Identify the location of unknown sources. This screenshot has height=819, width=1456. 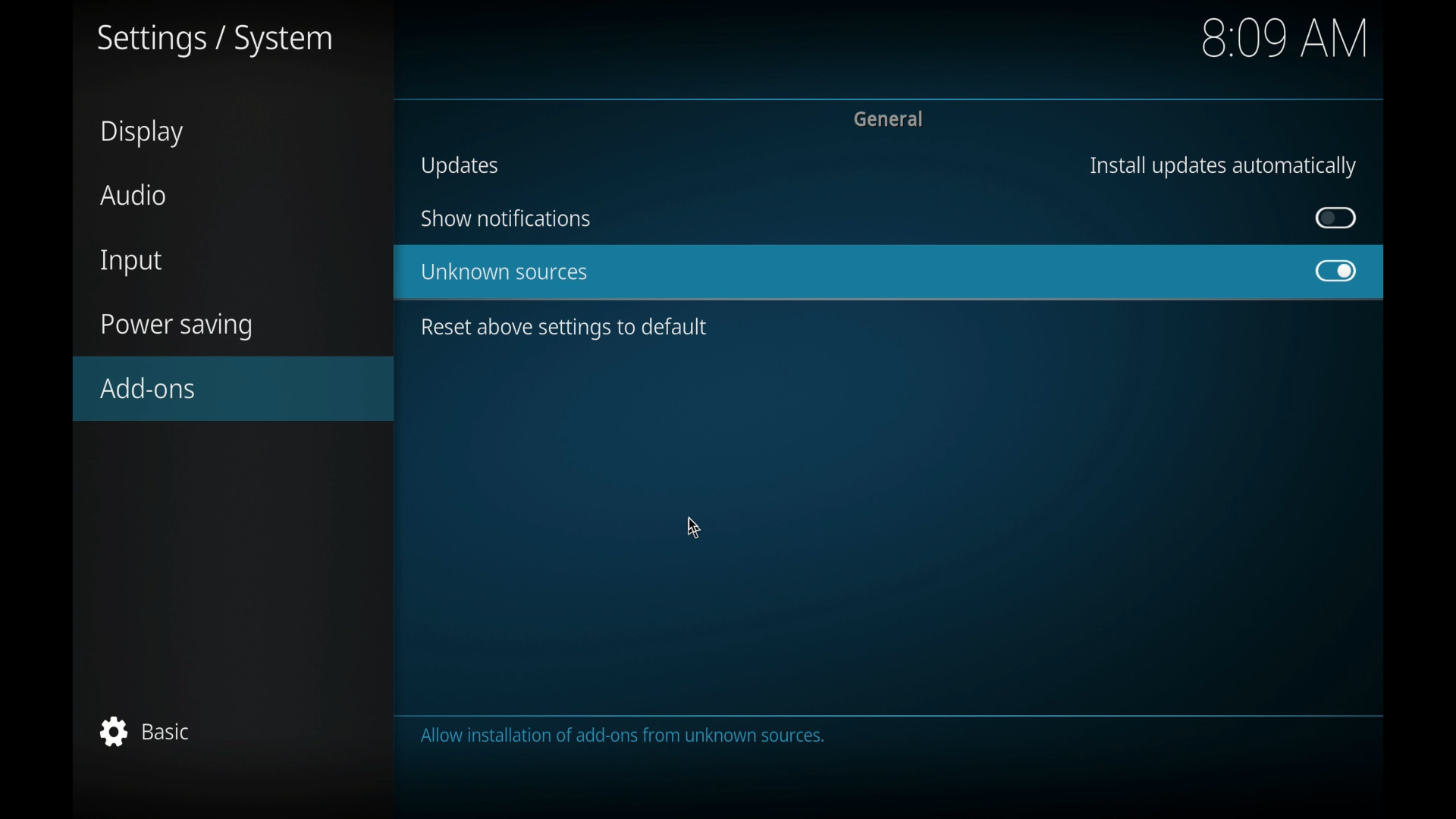
(505, 273).